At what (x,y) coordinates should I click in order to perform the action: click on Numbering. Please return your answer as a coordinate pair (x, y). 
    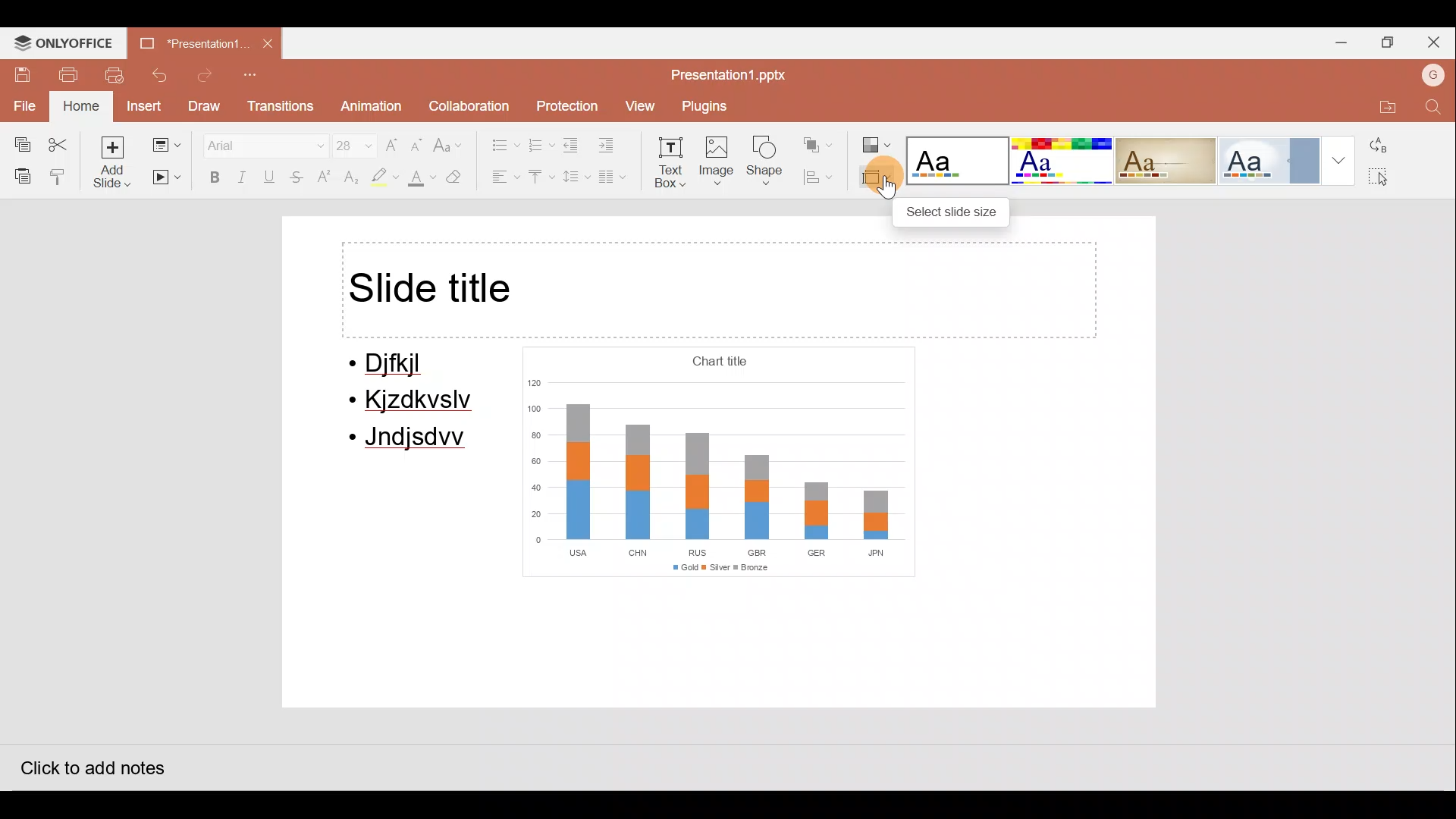
    Looking at the image, I should click on (541, 143).